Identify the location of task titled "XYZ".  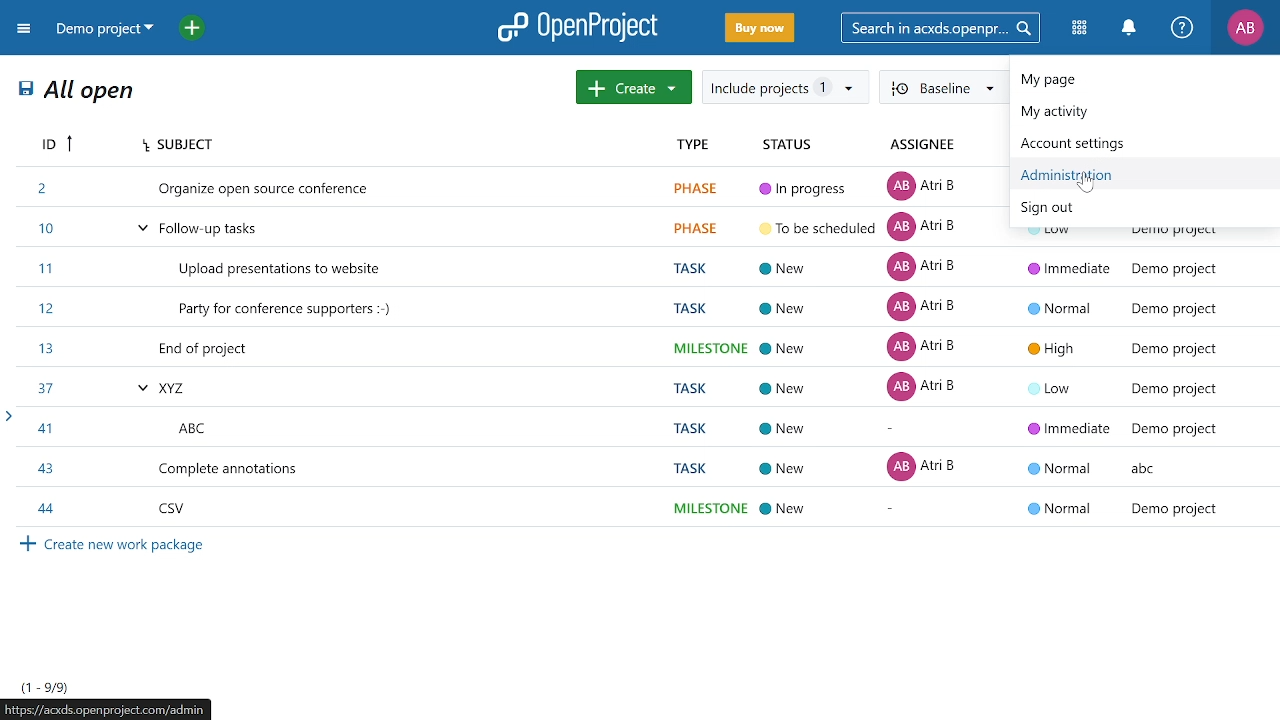
(642, 386).